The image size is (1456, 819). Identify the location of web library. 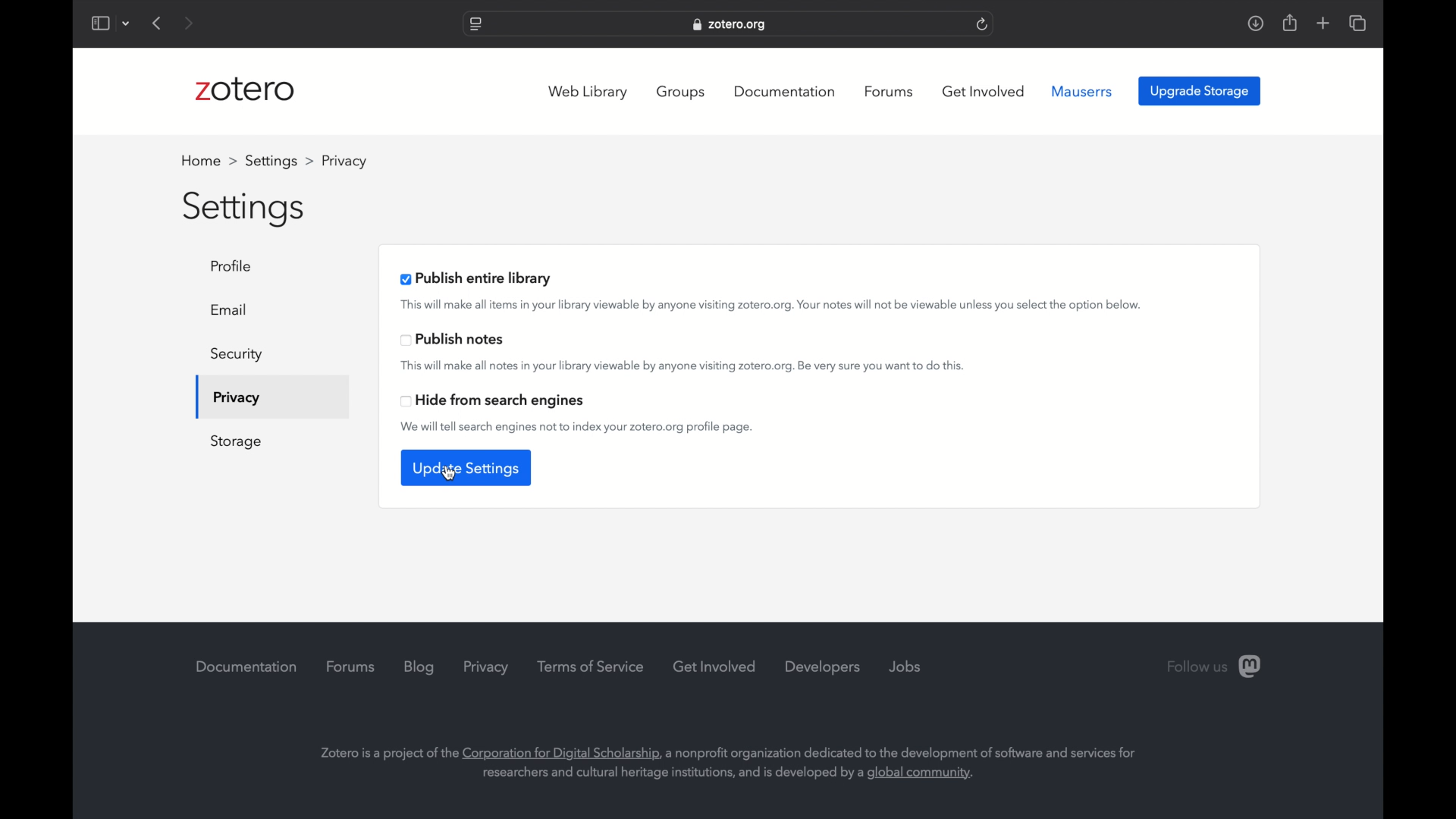
(588, 92).